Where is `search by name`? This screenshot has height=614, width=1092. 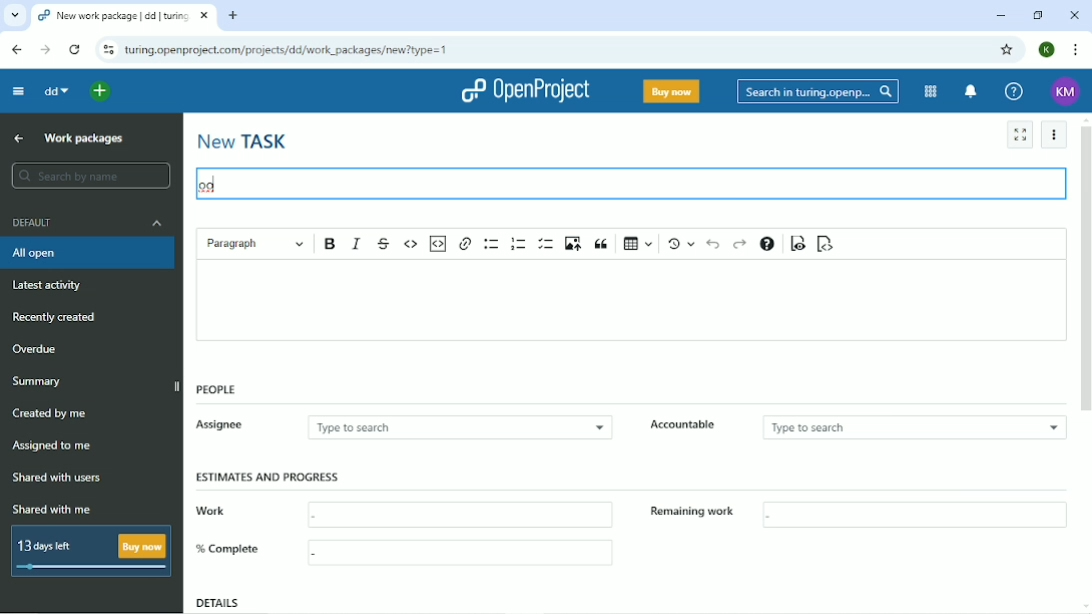
search by name is located at coordinates (89, 176).